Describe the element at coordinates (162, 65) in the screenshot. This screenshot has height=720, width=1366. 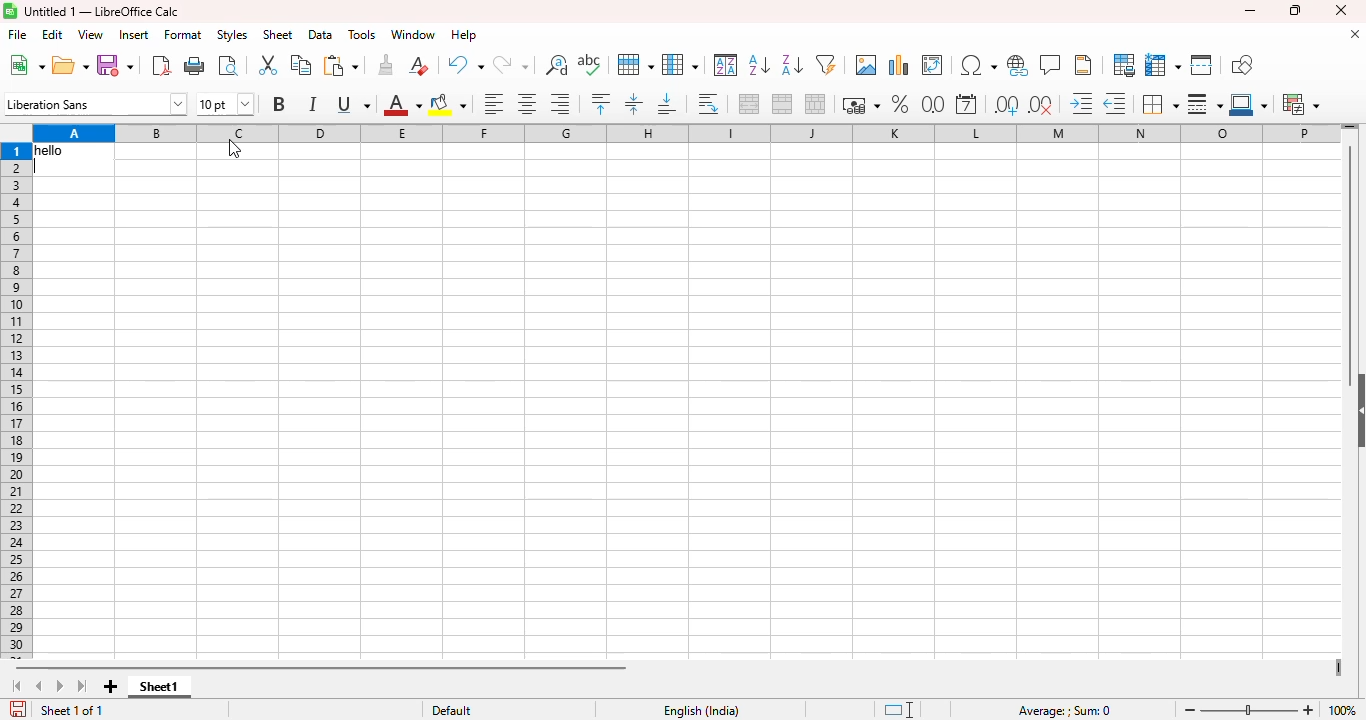
I see `export directly as PDF` at that location.